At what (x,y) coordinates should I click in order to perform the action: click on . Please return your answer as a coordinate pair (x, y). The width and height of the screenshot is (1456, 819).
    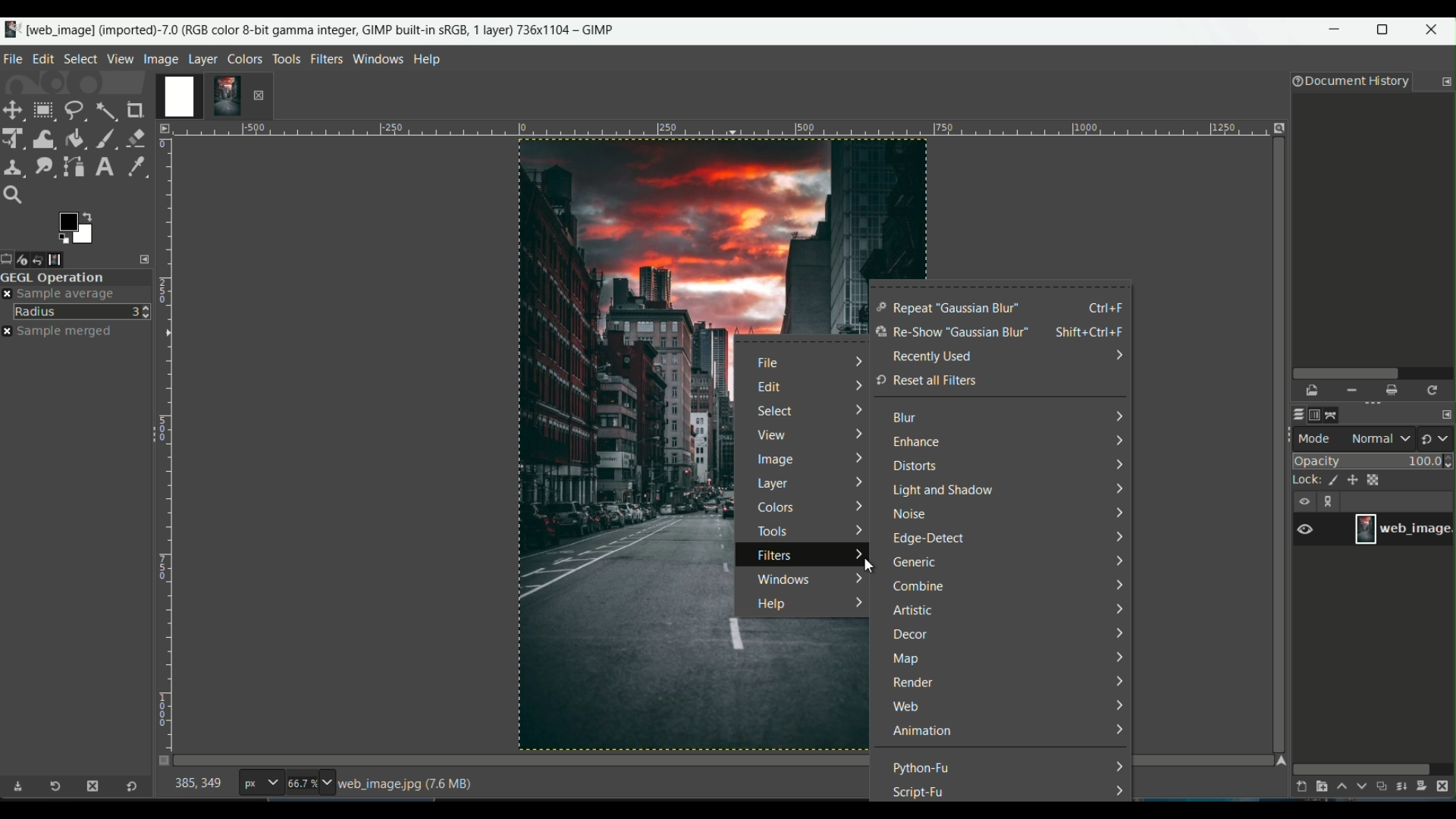
    Looking at the image, I should click on (907, 661).